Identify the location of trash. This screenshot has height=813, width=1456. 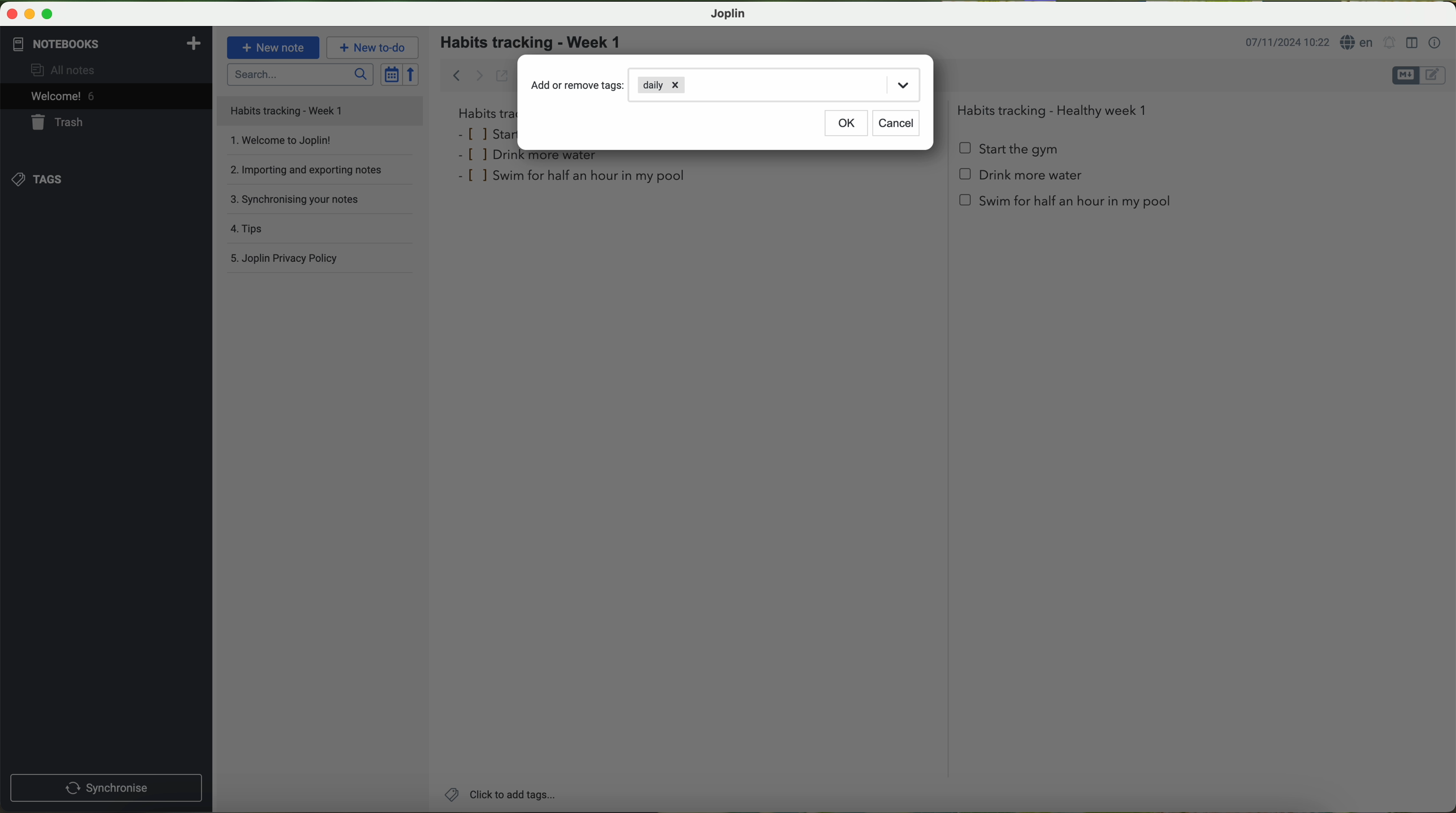
(59, 122).